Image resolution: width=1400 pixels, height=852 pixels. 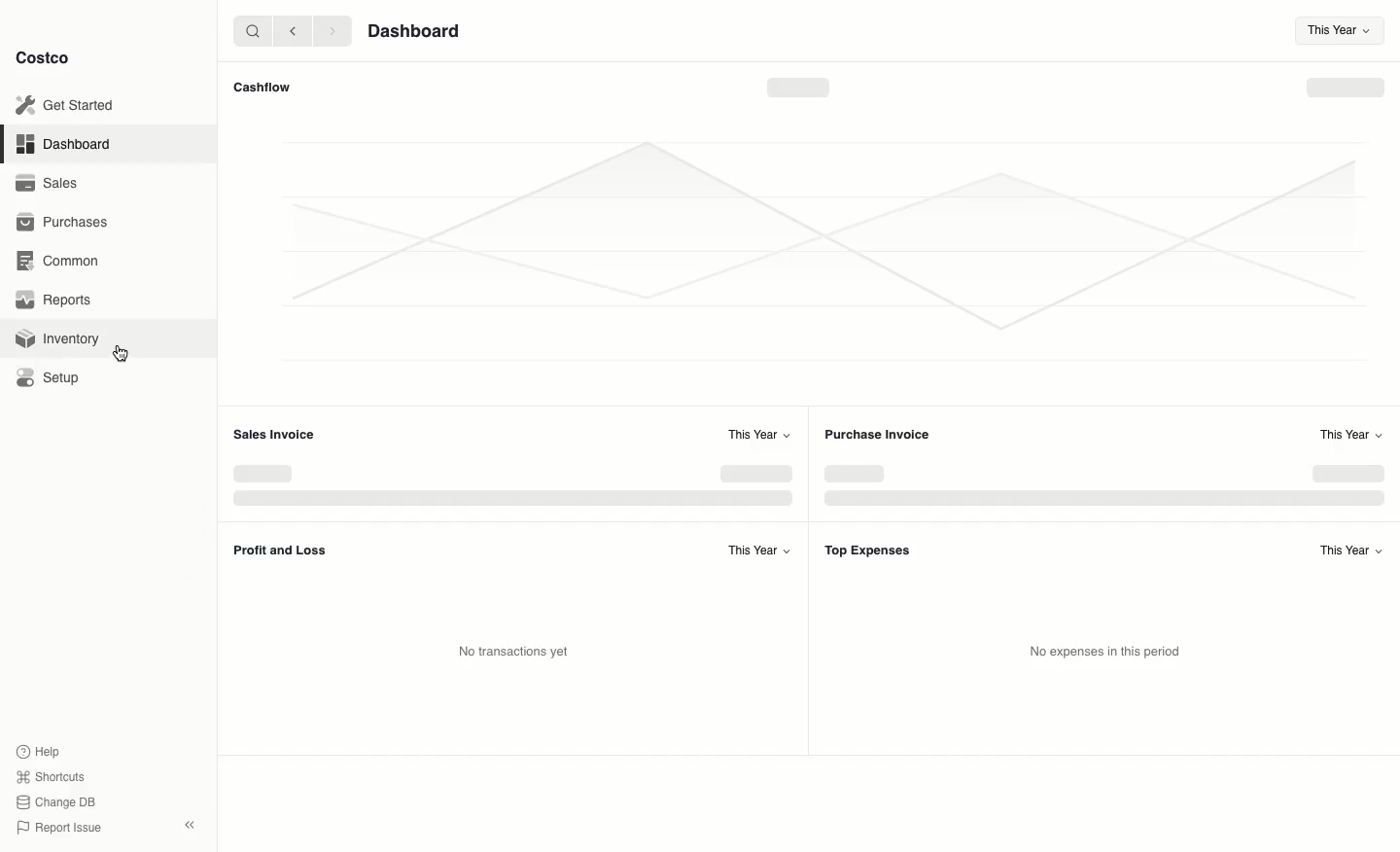 I want to click on Reports, so click(x=58, y=300).